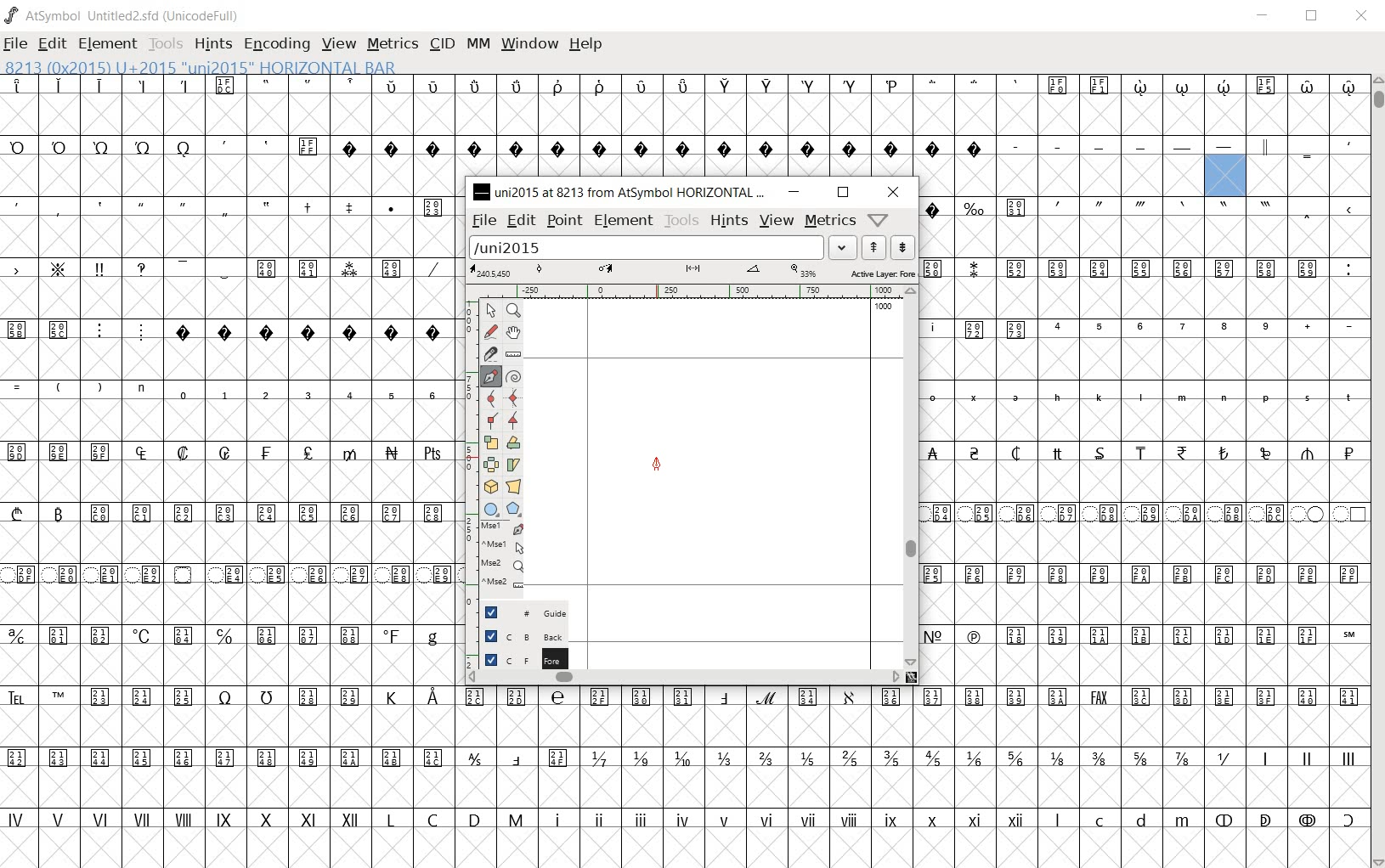 Image resolution: width=1385 pixels, height=868 pixels. Describe the element at coordinates (1363, 19) in the screenshot. I see `CLOSE` at that location.